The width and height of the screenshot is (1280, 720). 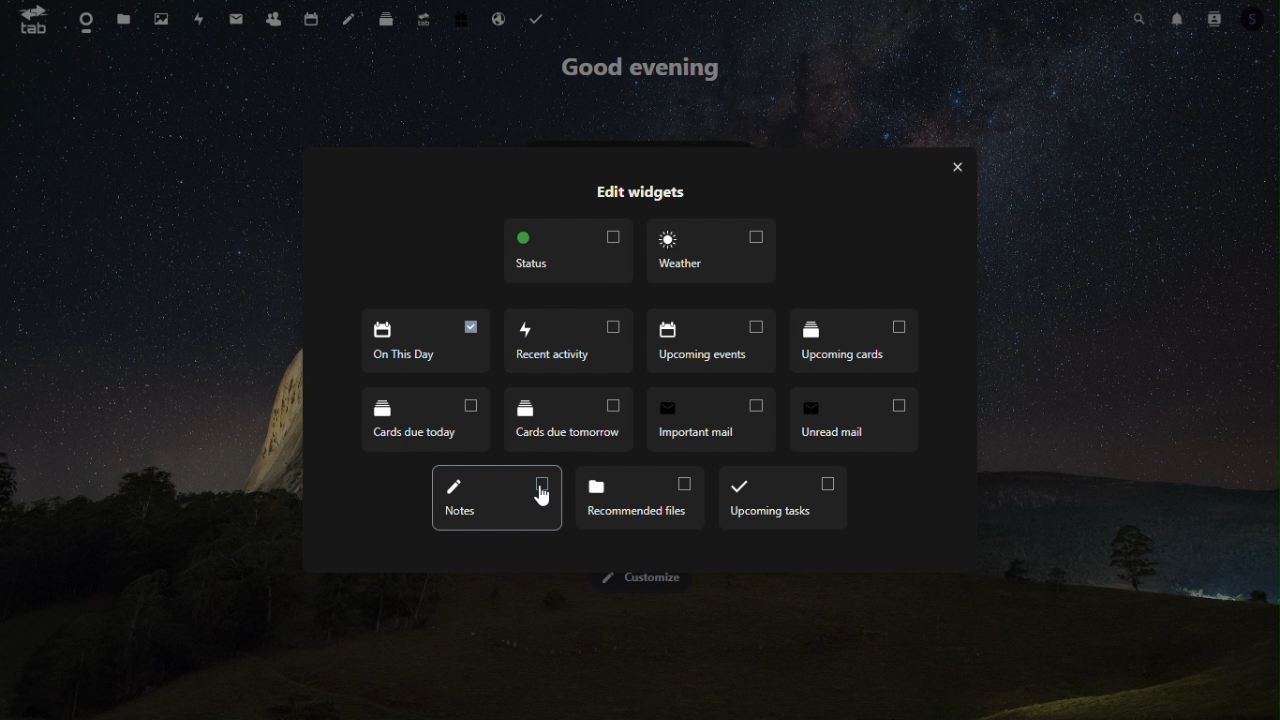 I want to click on Contacts, so click(x=272, y=19).